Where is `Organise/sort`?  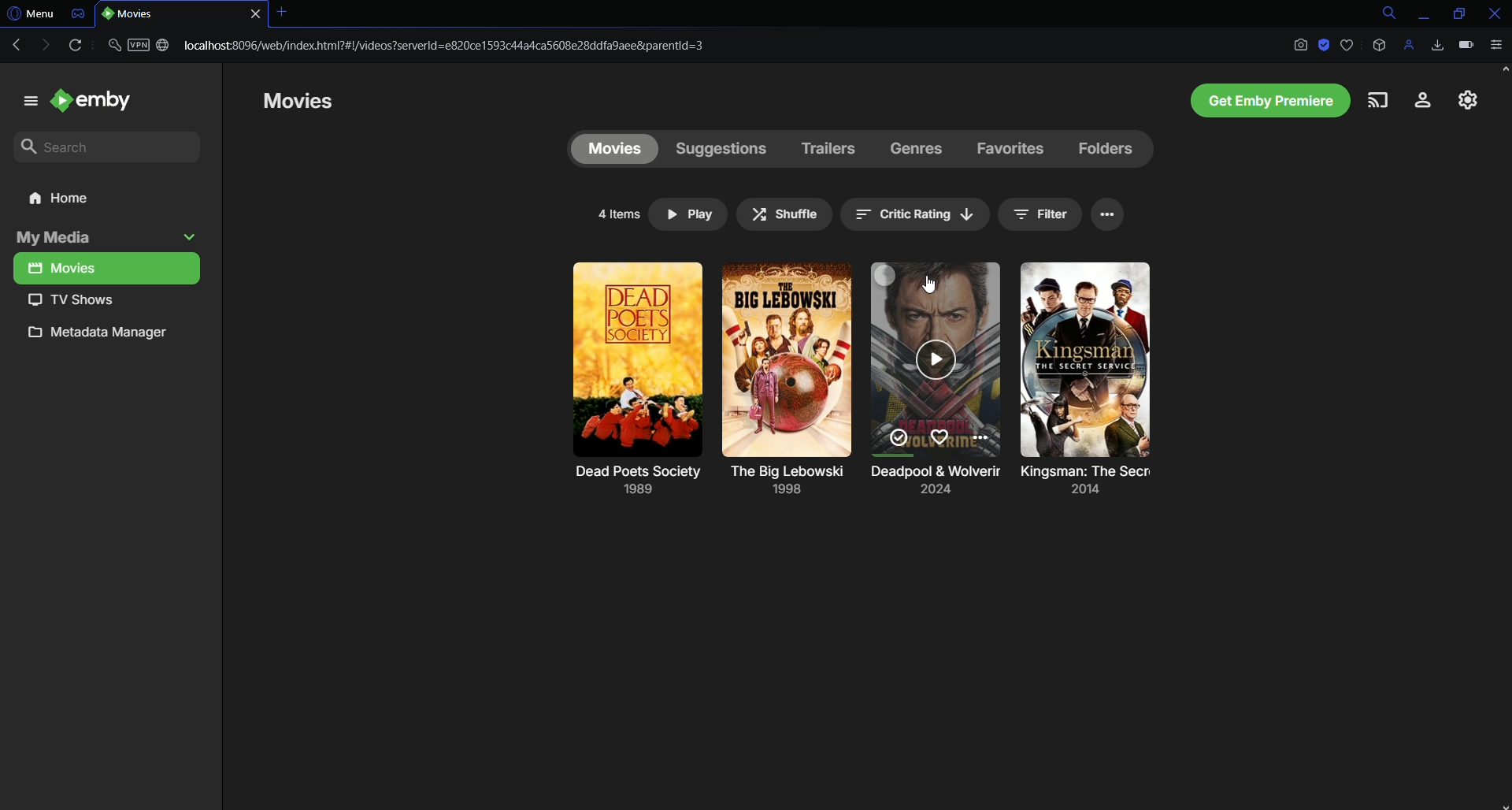
Organise/sort is located at coordinates (917, 215).